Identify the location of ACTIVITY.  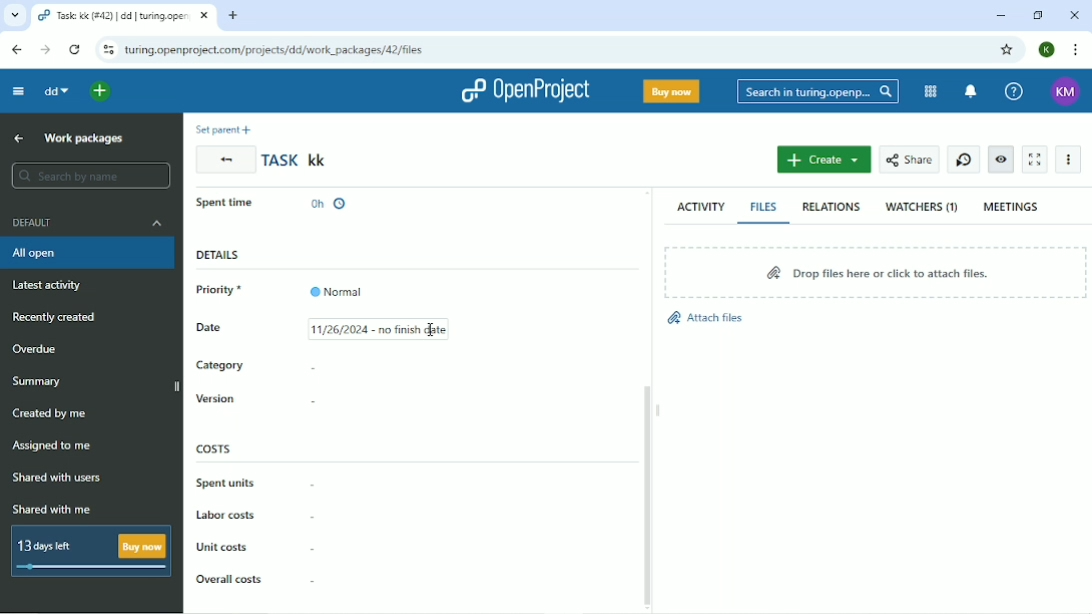
(698, 207).